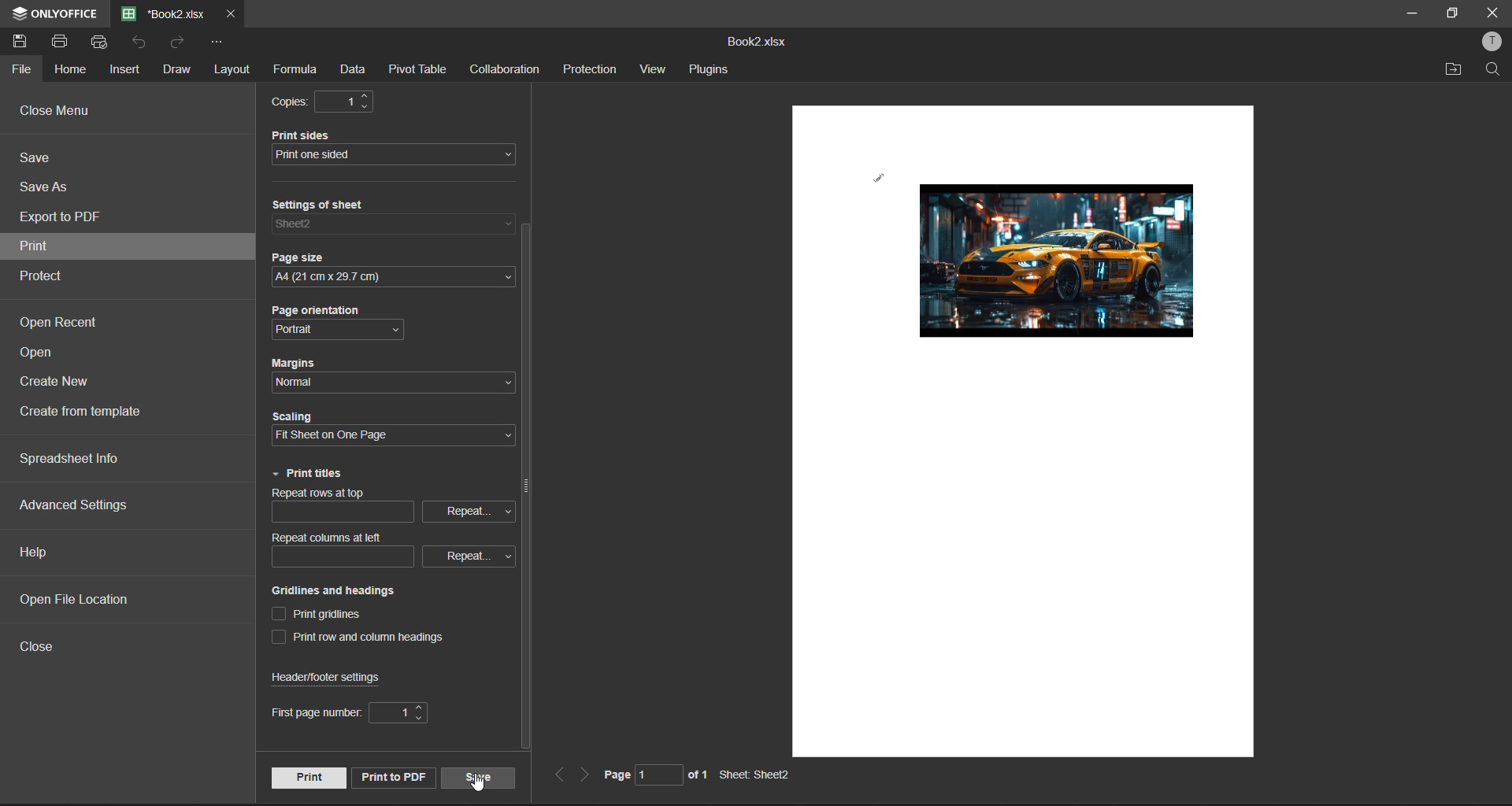 This screenshot has height=806, width=1512. Describe the element at coordinates (41, 645) in the screenshot. I see `close` at that location.